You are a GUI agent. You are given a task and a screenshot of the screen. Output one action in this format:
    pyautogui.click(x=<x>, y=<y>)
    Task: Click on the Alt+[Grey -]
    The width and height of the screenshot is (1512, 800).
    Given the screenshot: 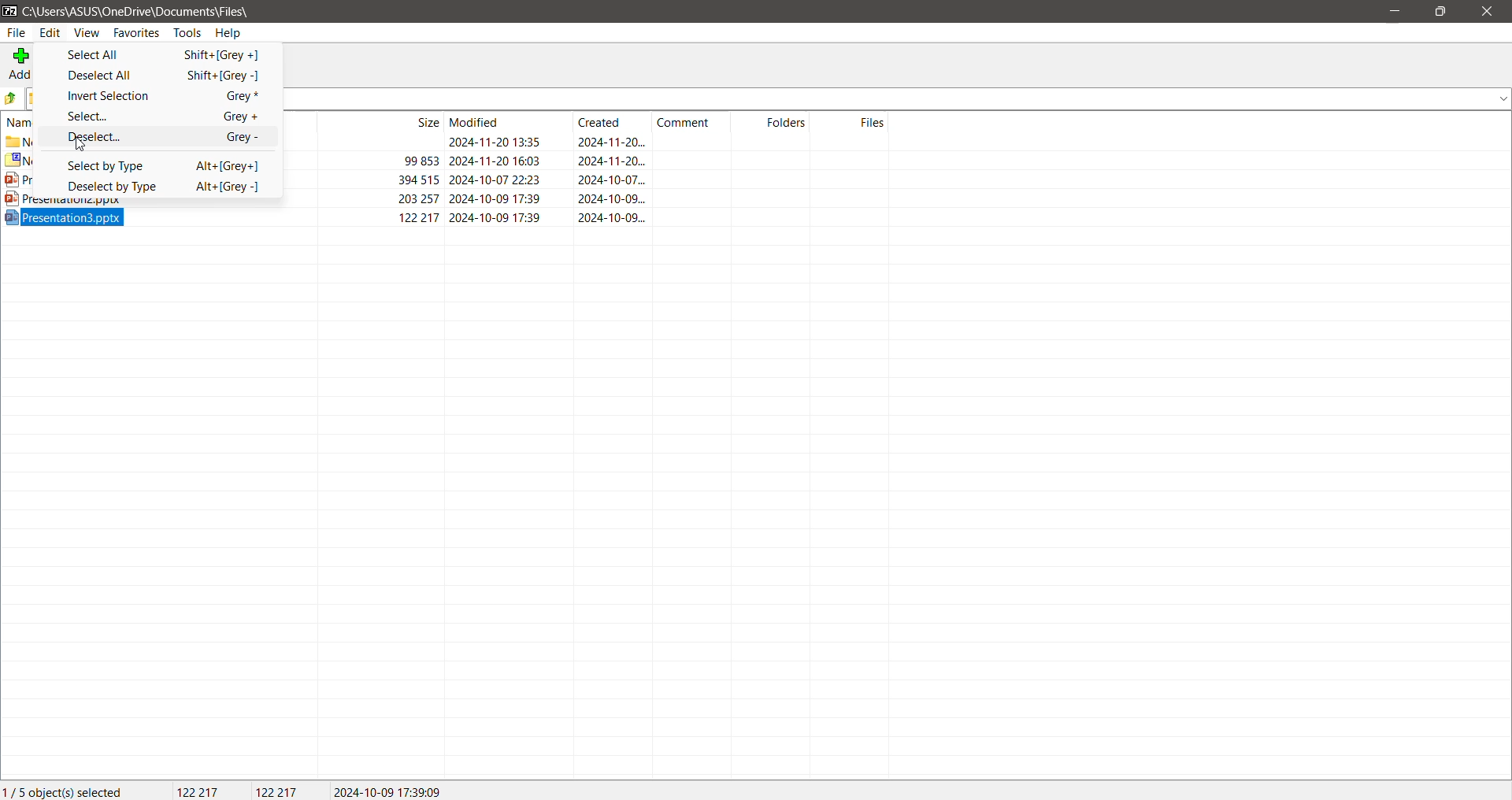 What is the action you would take?
    pyautogui.click(x=219, y=189)
    